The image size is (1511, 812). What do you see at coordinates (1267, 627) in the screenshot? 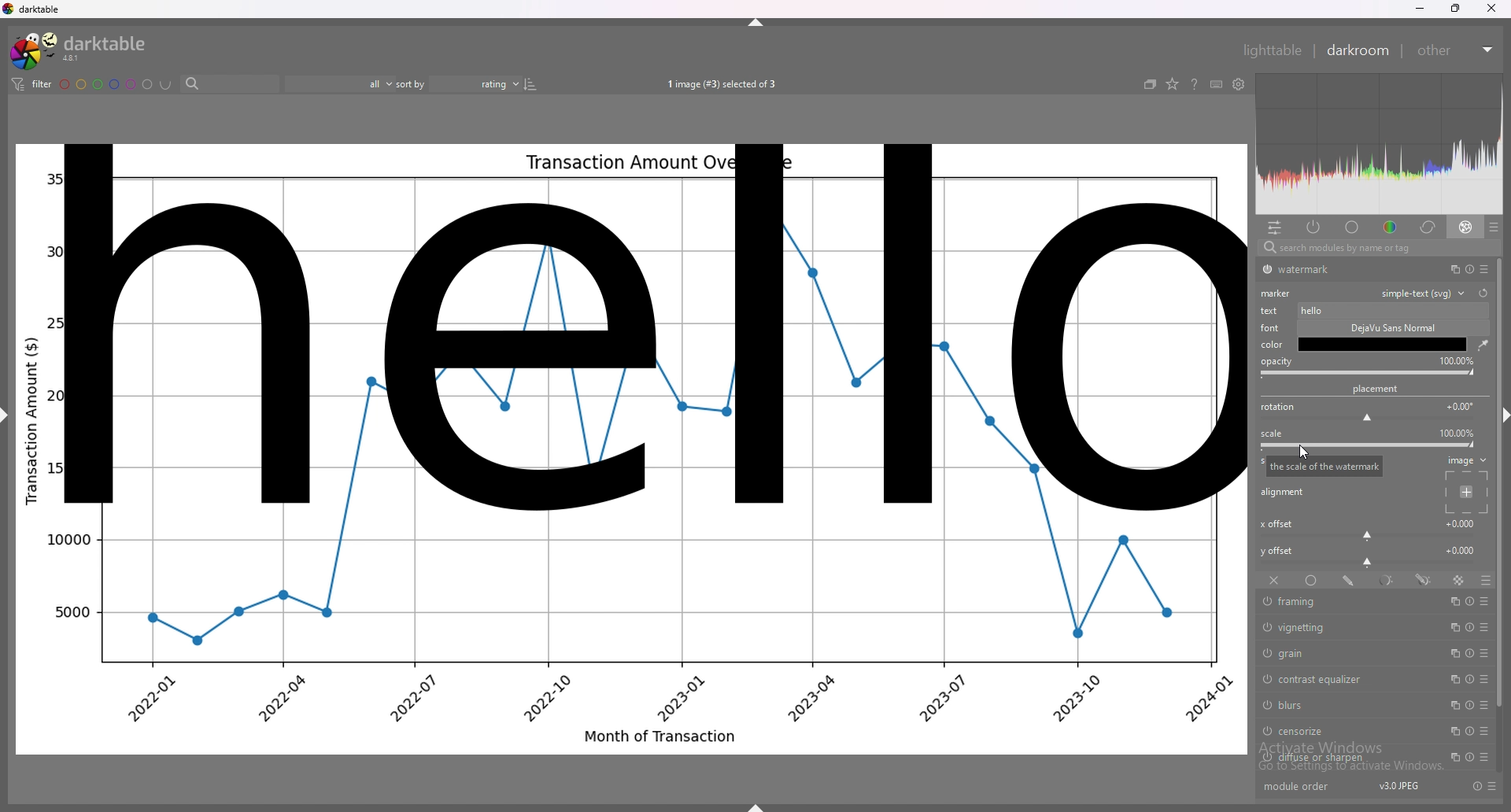
I see `switch off` at bounding box center [1267, 627].